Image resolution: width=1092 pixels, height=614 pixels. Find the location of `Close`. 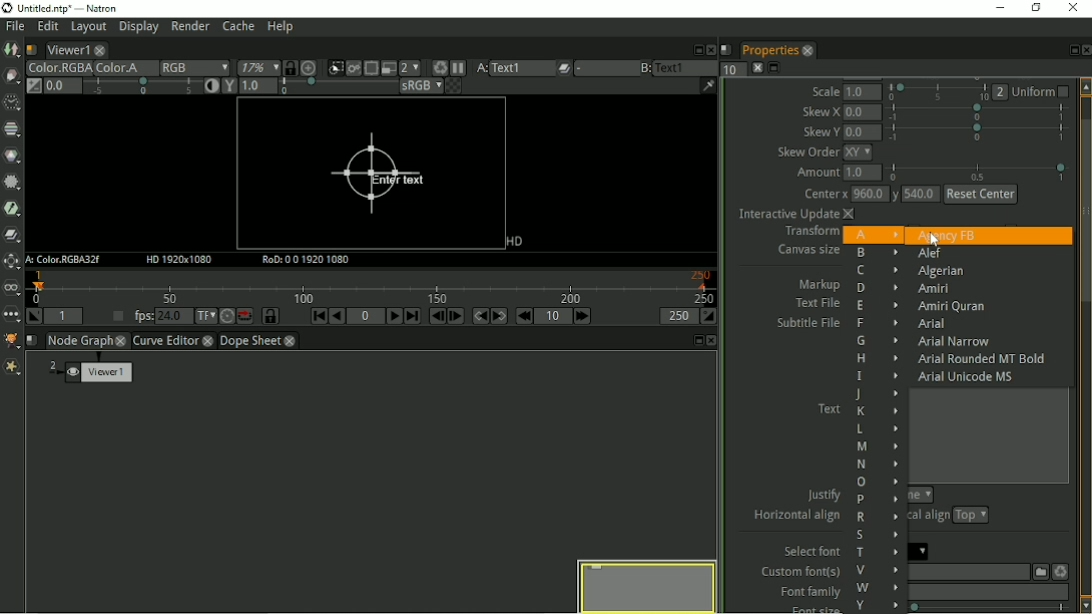

Close is located at coordinates (713, 341).